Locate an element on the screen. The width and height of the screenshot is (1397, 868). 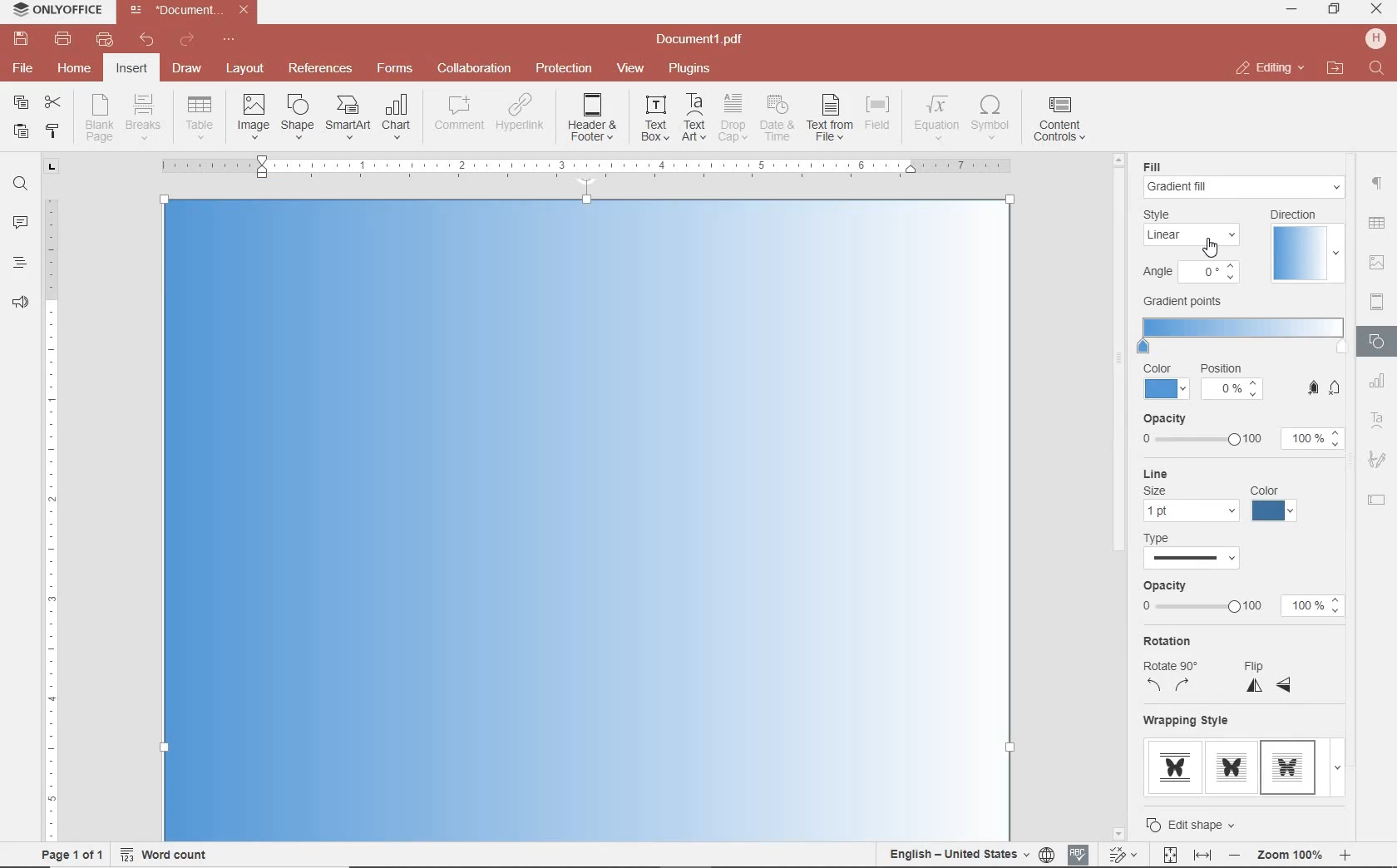
heading is located at coordinates (20, 262).